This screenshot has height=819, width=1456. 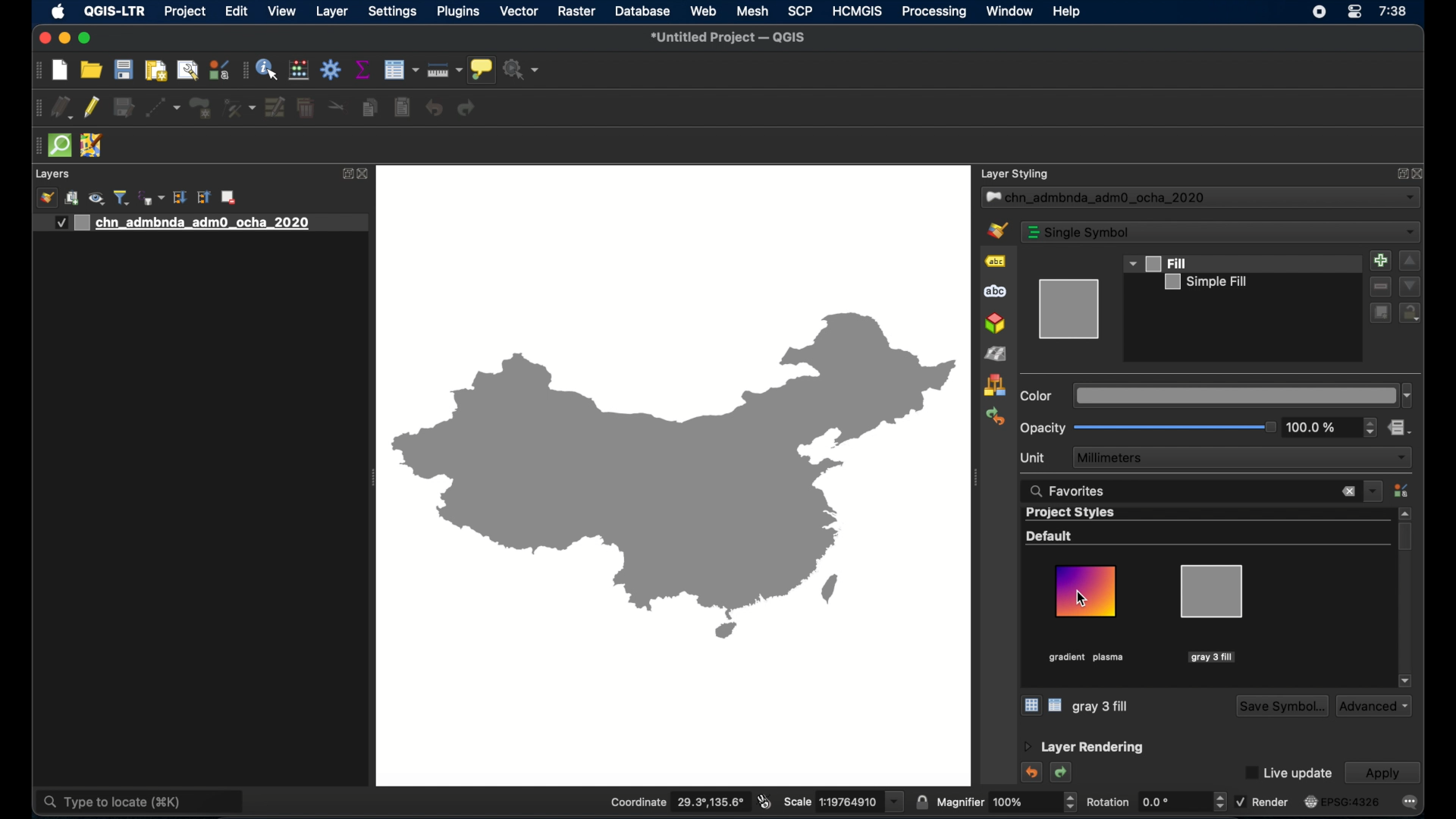 I want to click on messages, so click(x=1410, y=802).